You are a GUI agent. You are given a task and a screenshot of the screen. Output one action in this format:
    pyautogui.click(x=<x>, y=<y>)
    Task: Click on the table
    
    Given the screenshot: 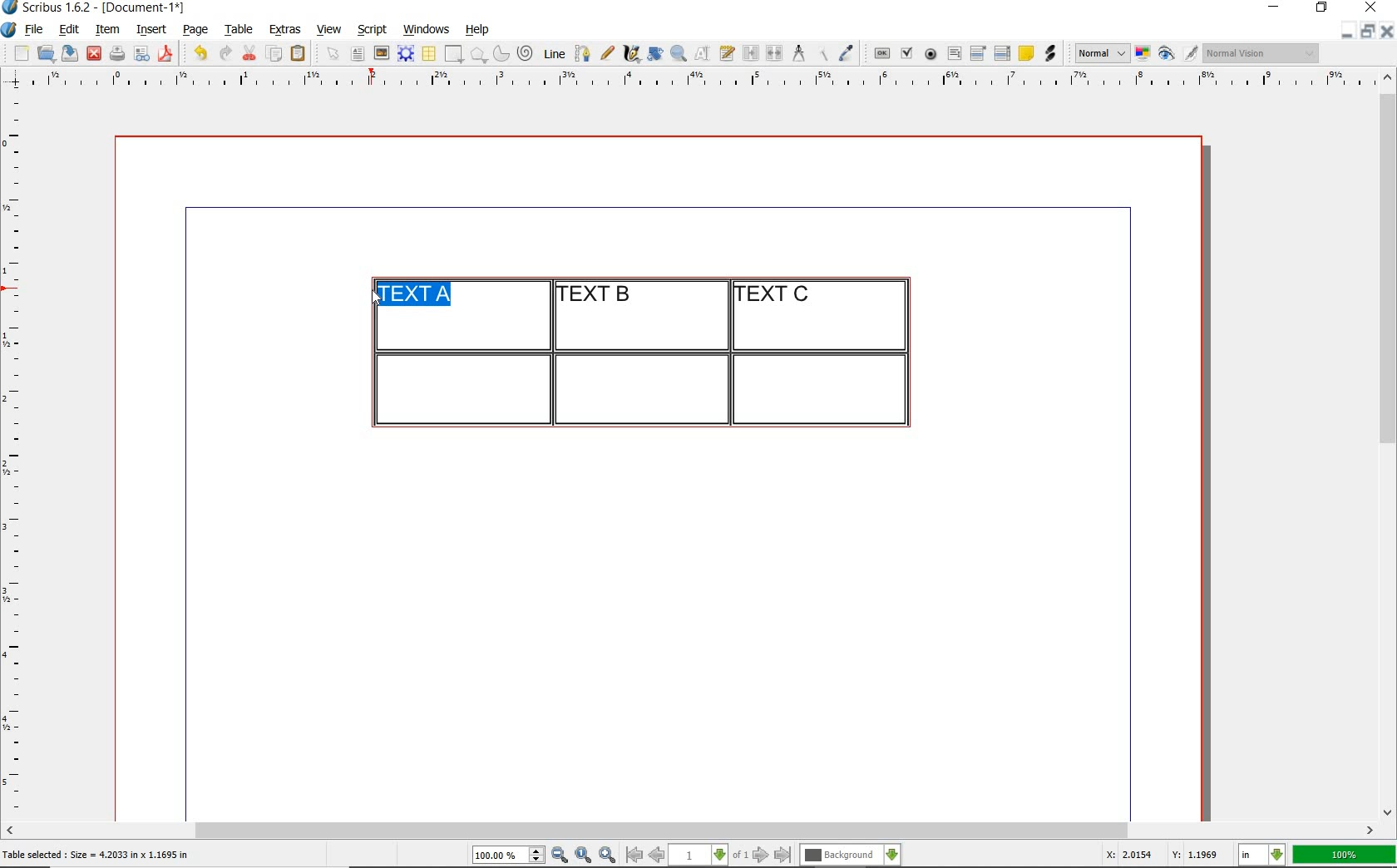 What is the action you would take?
    pyautogui.click(x=430, y=54)
    